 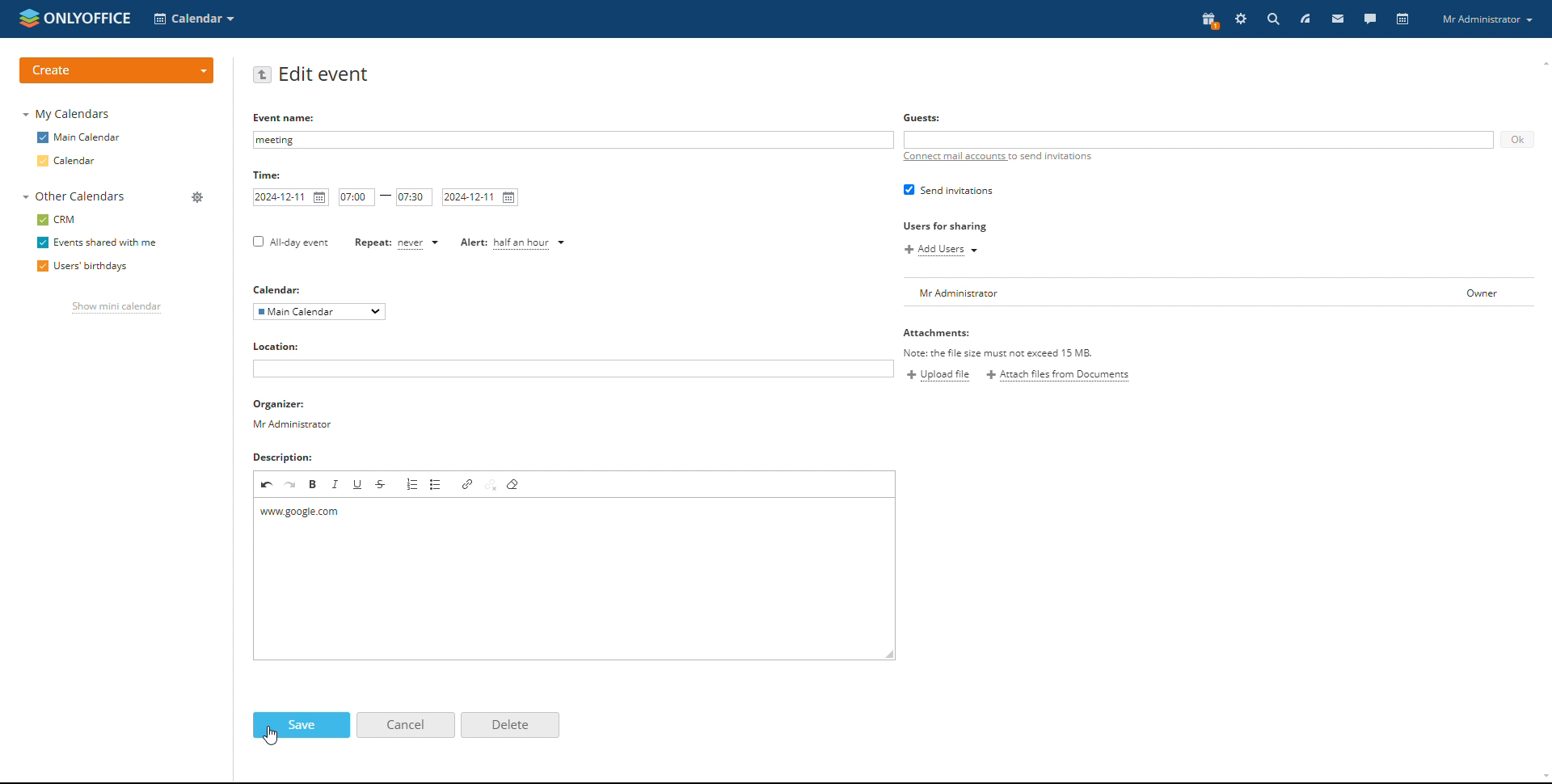 I want to click on end time, so click(x=414, y=196).